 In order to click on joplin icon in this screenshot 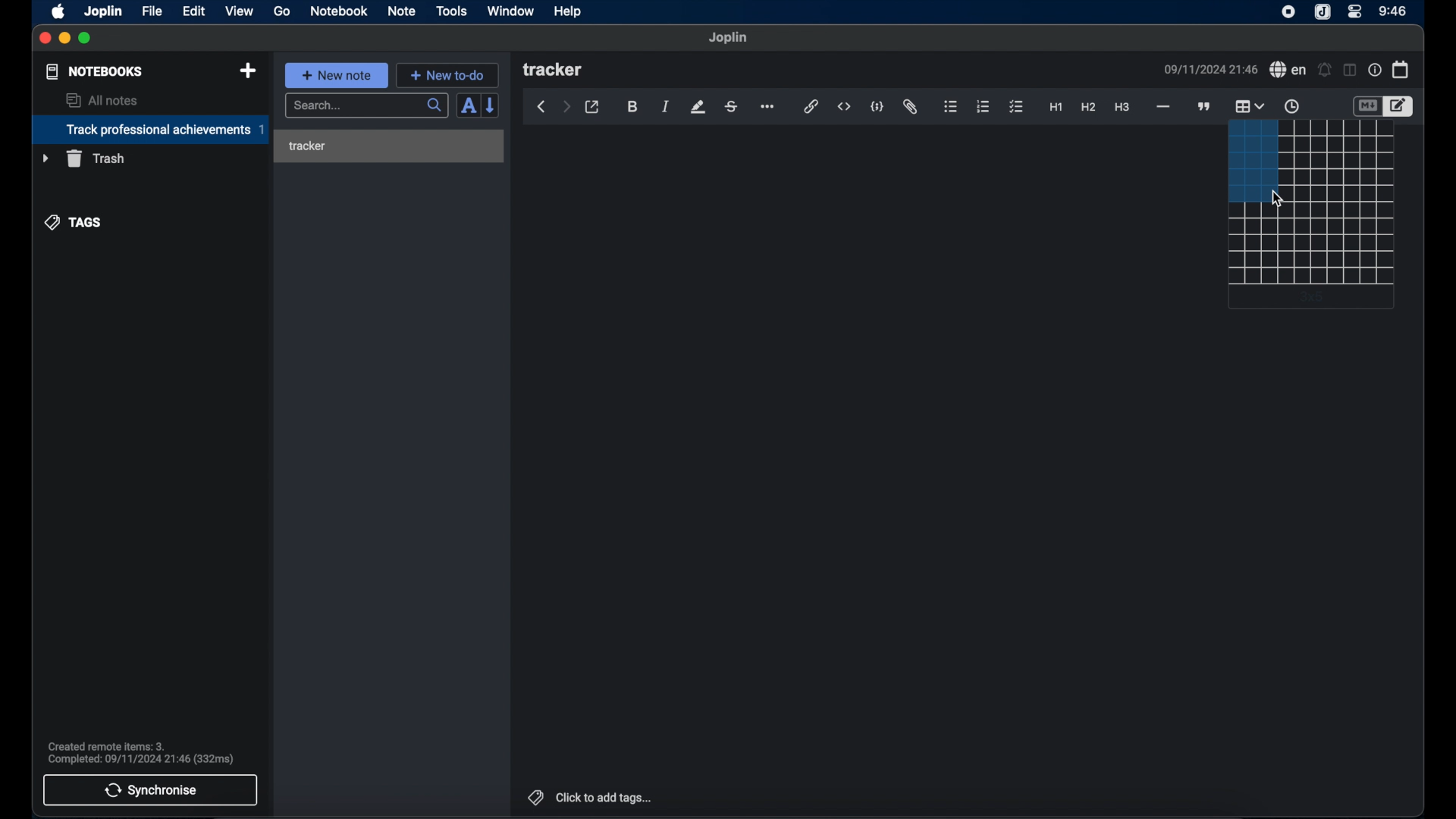, I will do `click(1288, 13)`.